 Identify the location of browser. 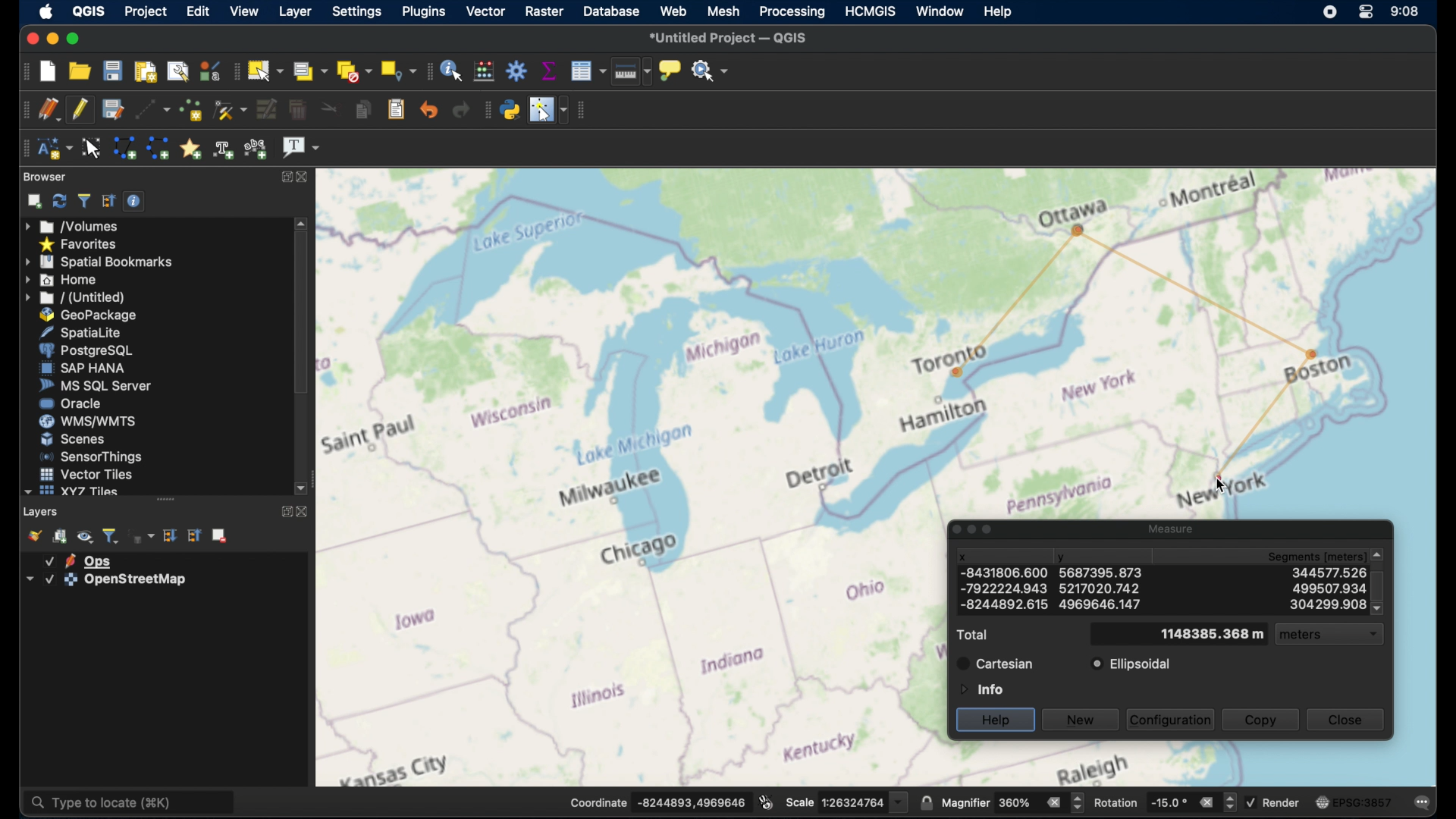
(46, 177).